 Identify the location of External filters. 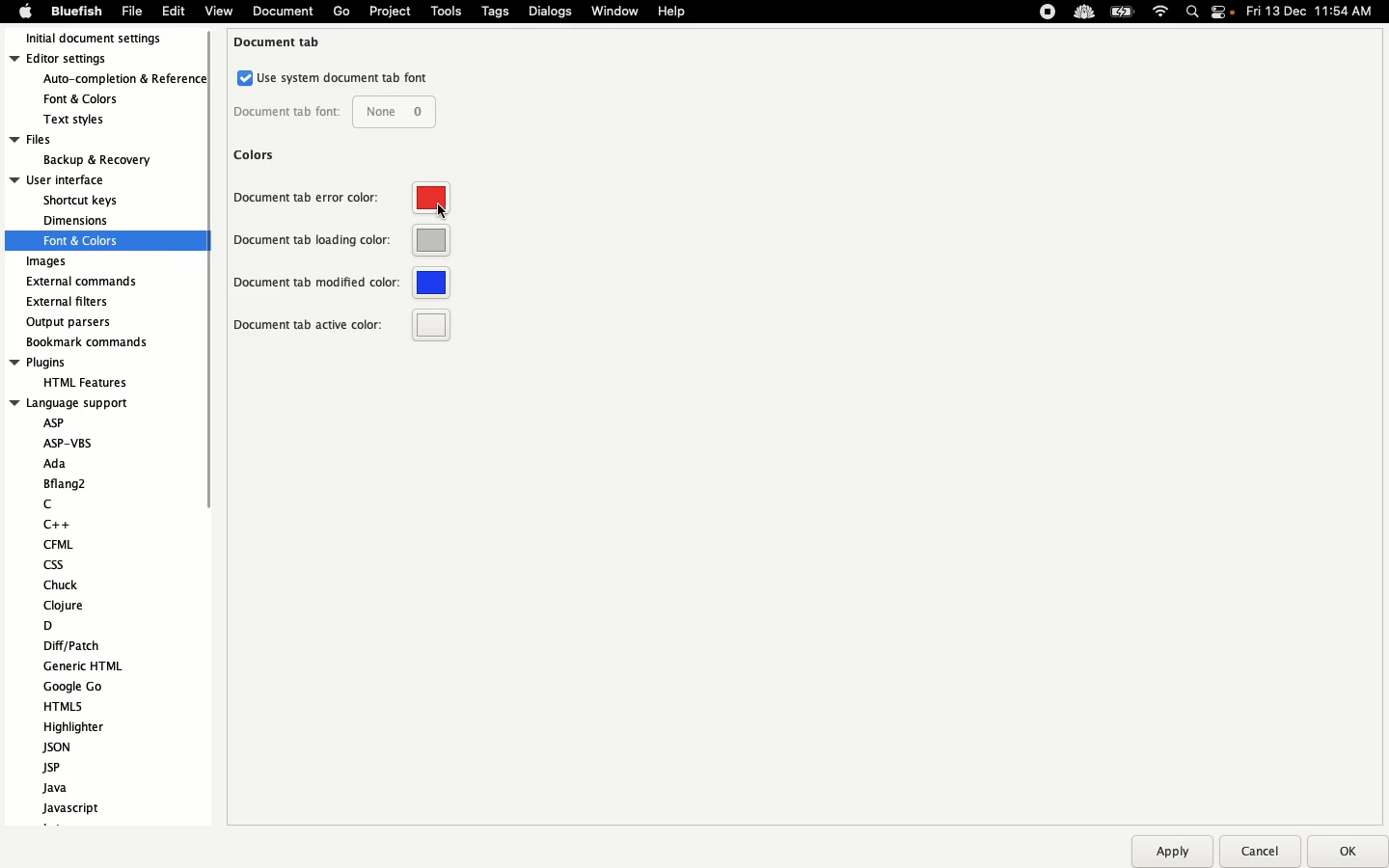
(70, 302).